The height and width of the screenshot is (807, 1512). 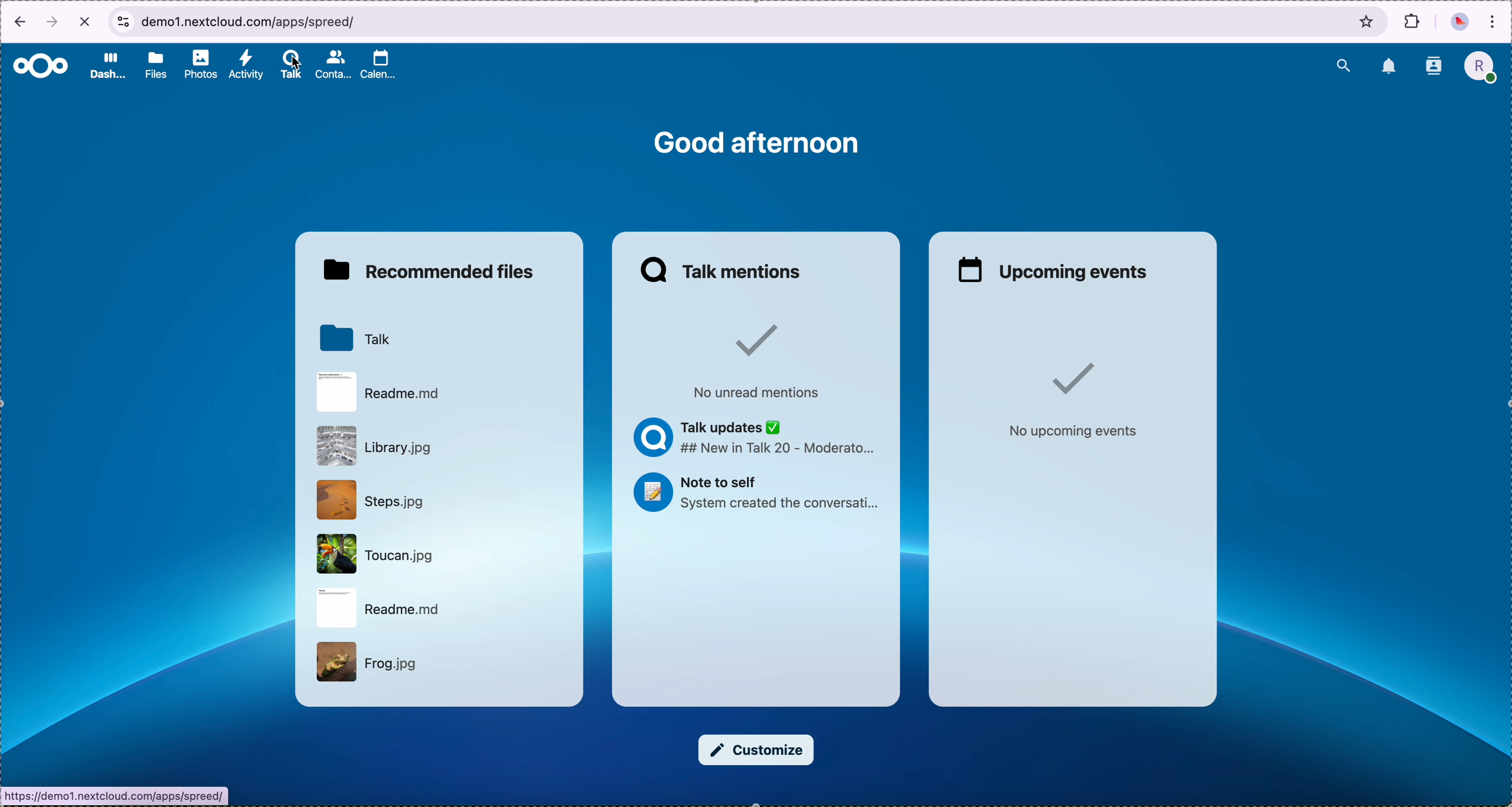 What do you see at coordinates (1063, 373) in the screenshot?
I see `Checked sign` at bounding box center [1063, 373].